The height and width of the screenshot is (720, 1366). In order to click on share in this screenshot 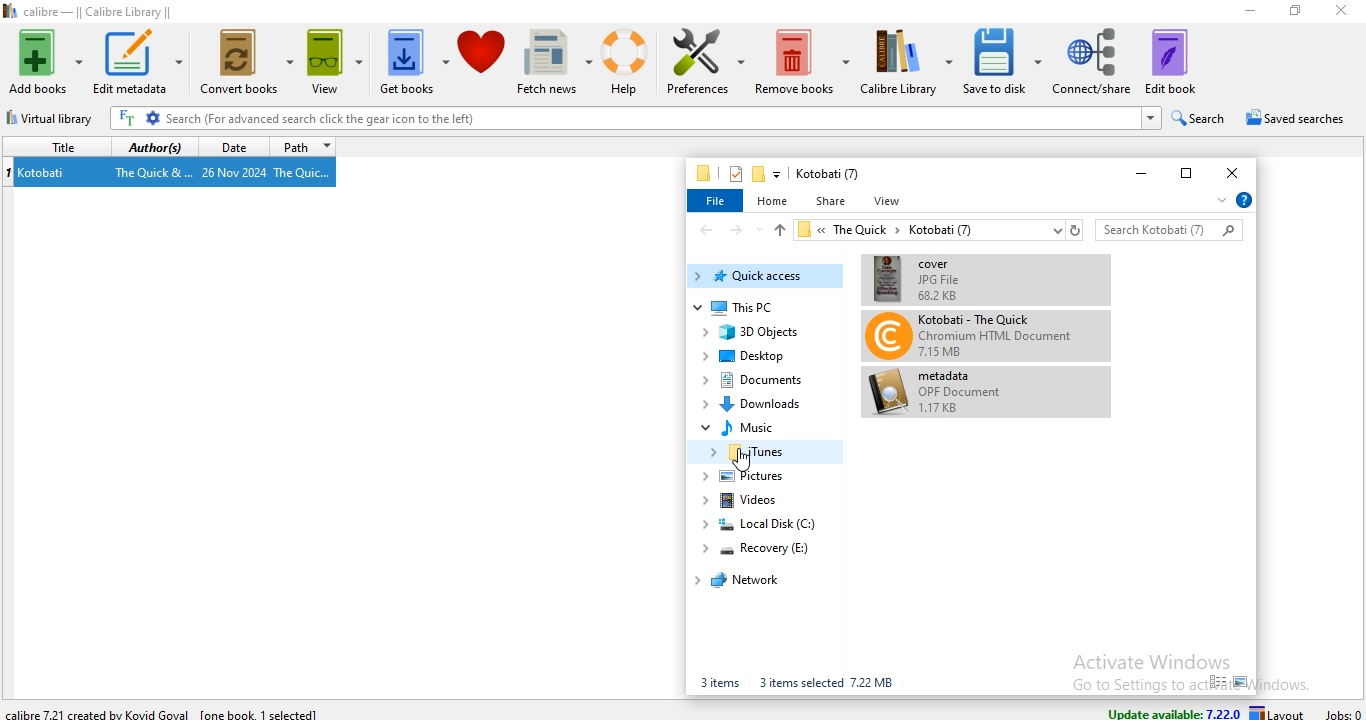, I will do `click(830, 201)`.